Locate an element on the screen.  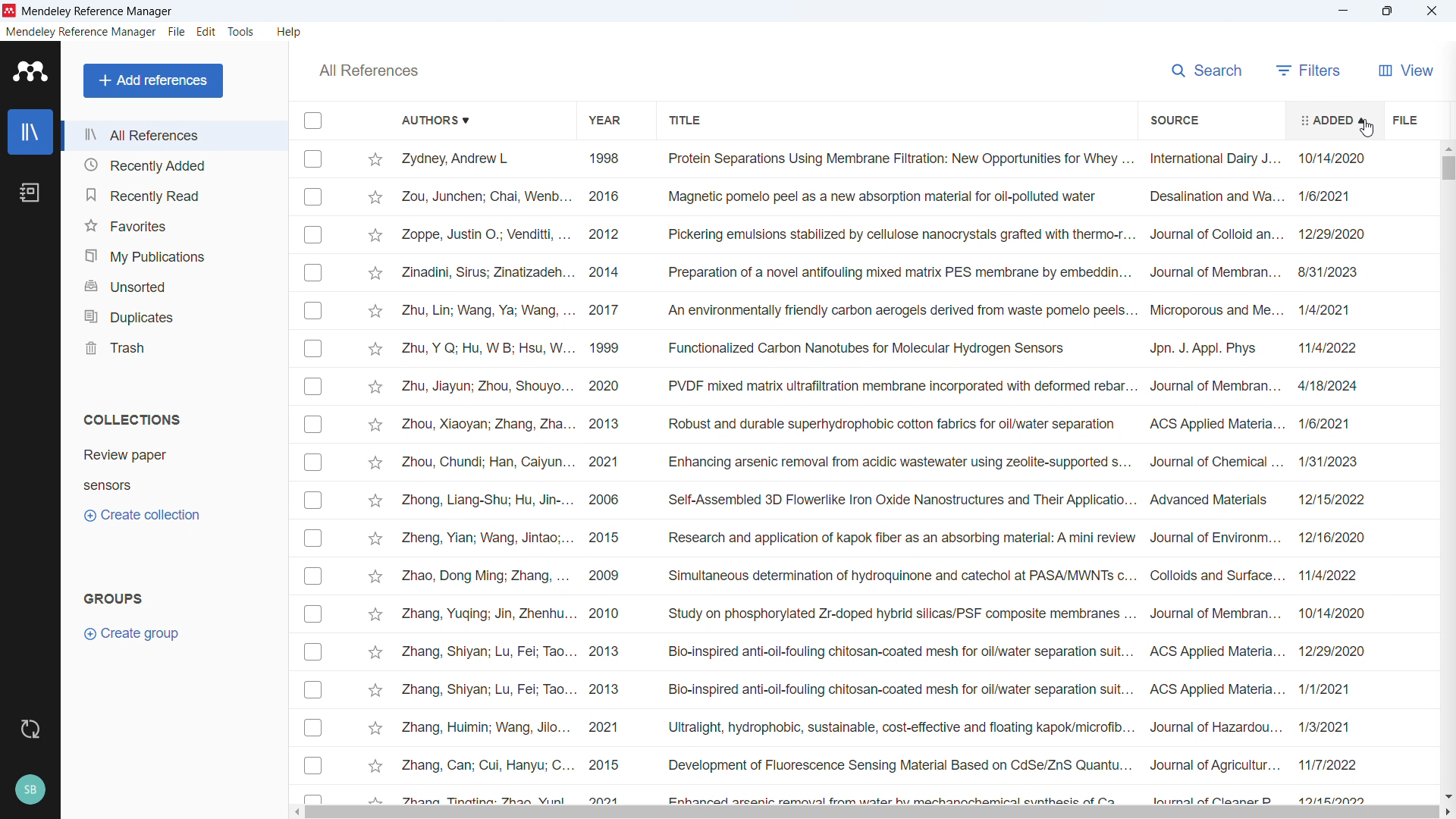
Create group  is located at coordinates (133, 633).